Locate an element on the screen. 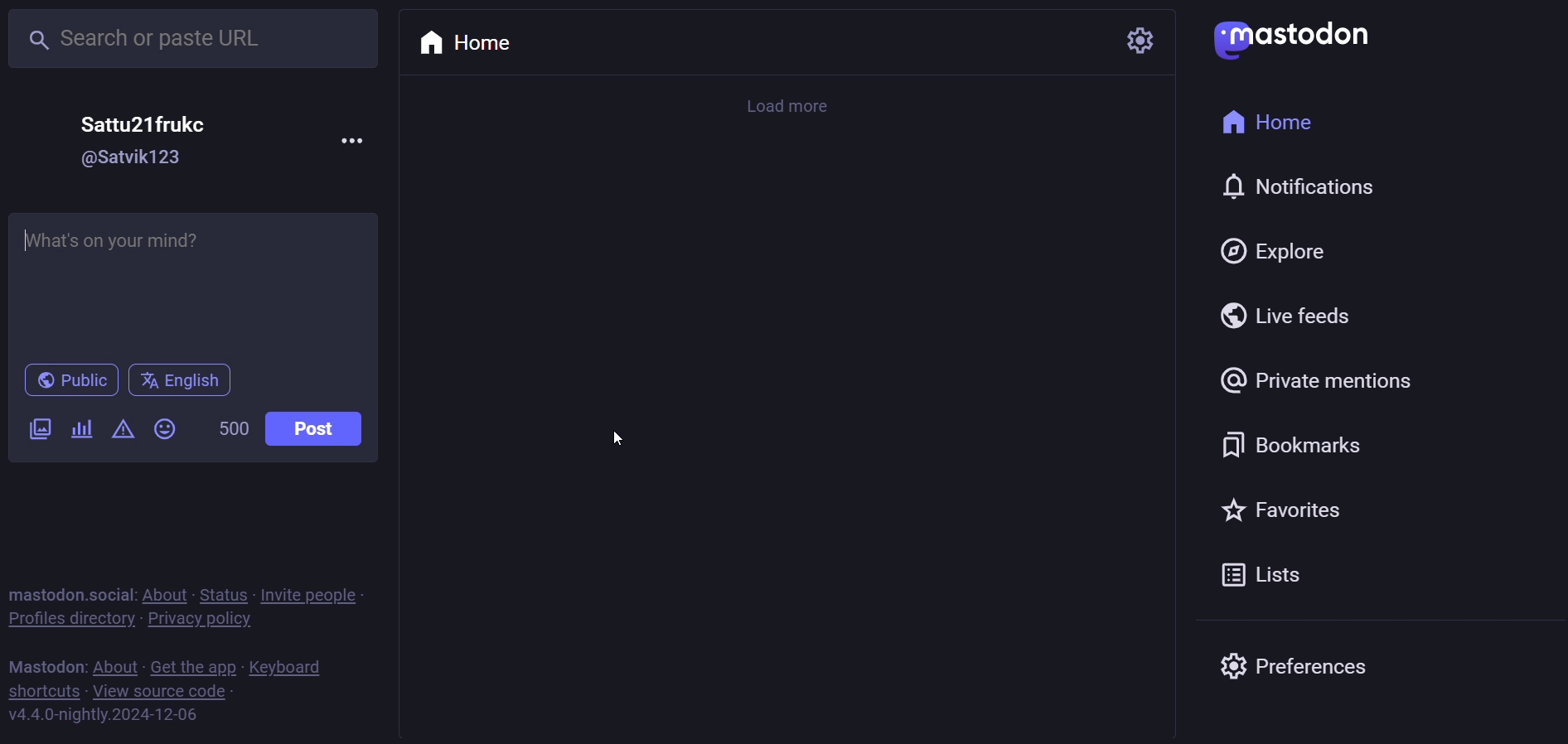 The height and width of the screenshot is (744, 1568). version is located at coordinates (104, 717).